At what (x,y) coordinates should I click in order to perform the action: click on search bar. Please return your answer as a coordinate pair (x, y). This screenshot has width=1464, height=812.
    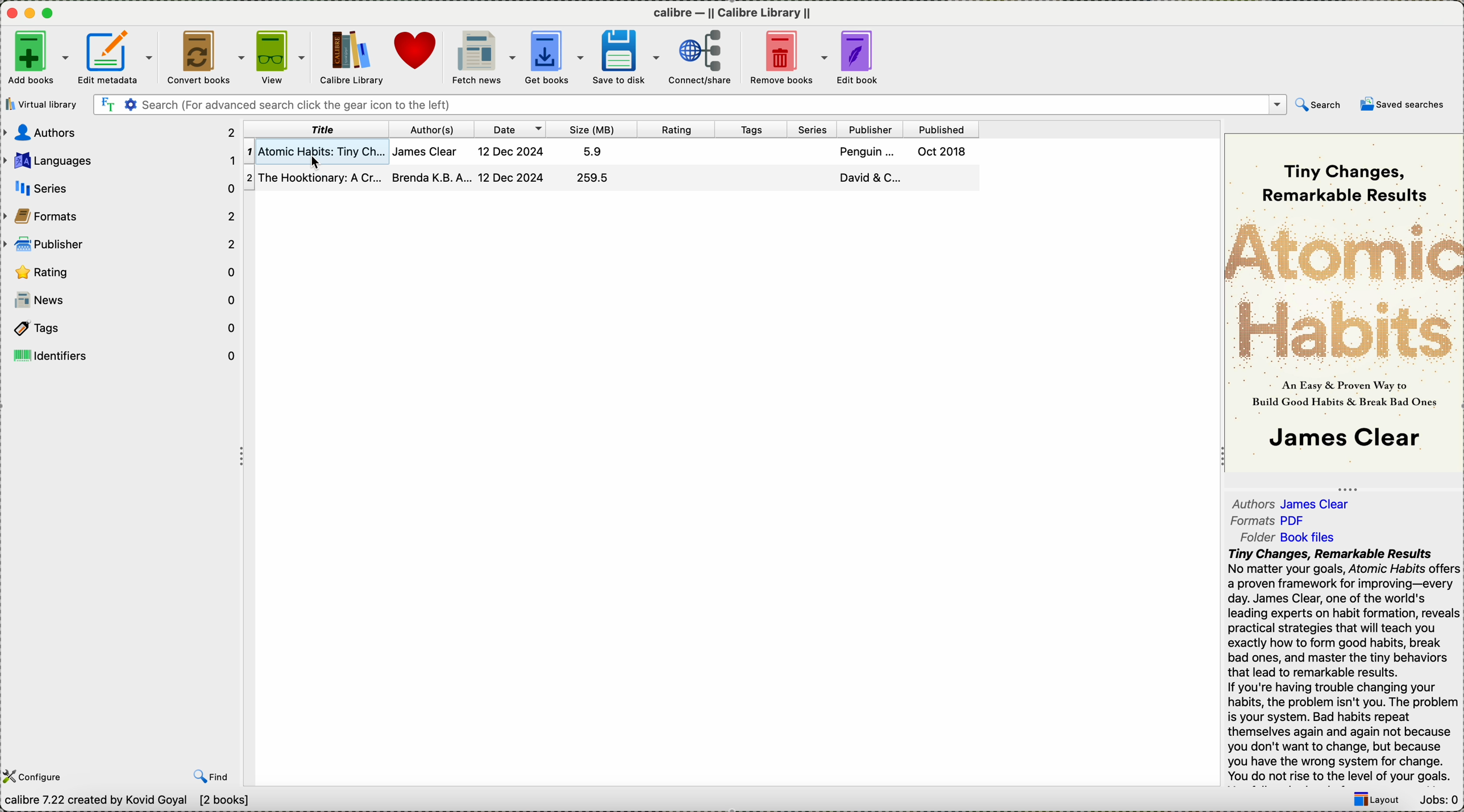
    Looking at the image, I should click on (688, 105).